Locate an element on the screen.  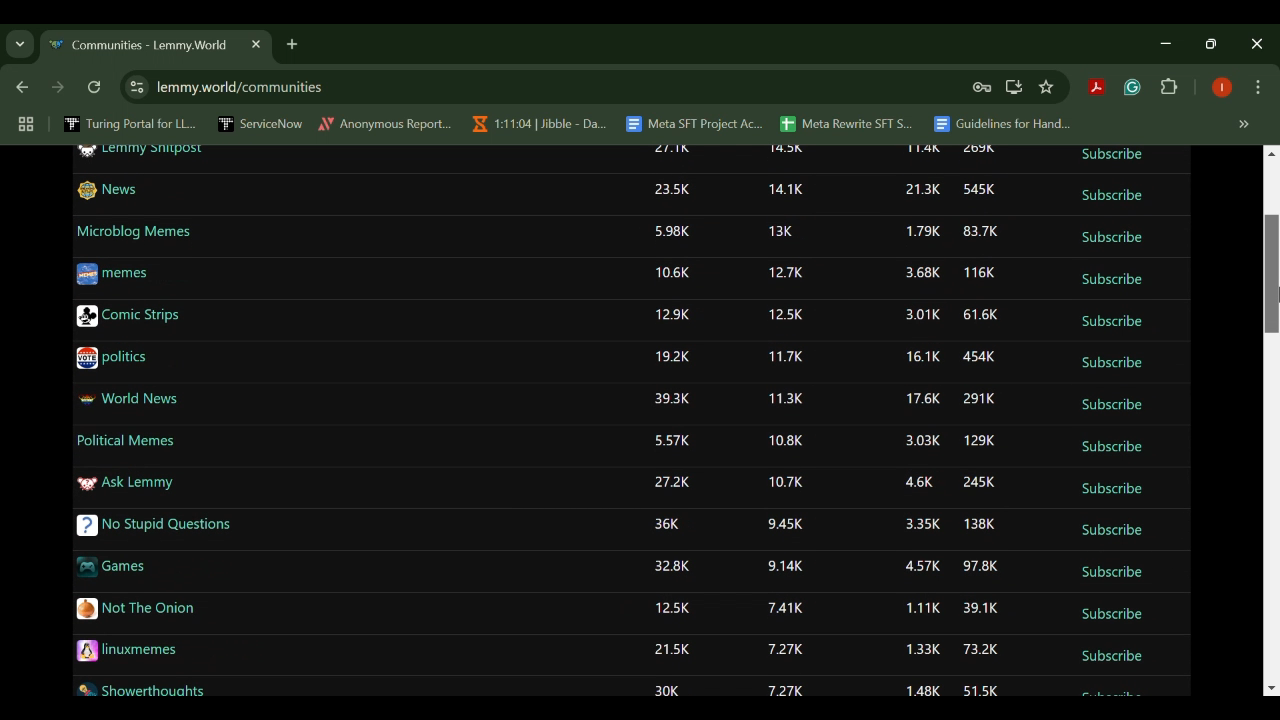
Next Webpage is located at coordinates (58, 90).